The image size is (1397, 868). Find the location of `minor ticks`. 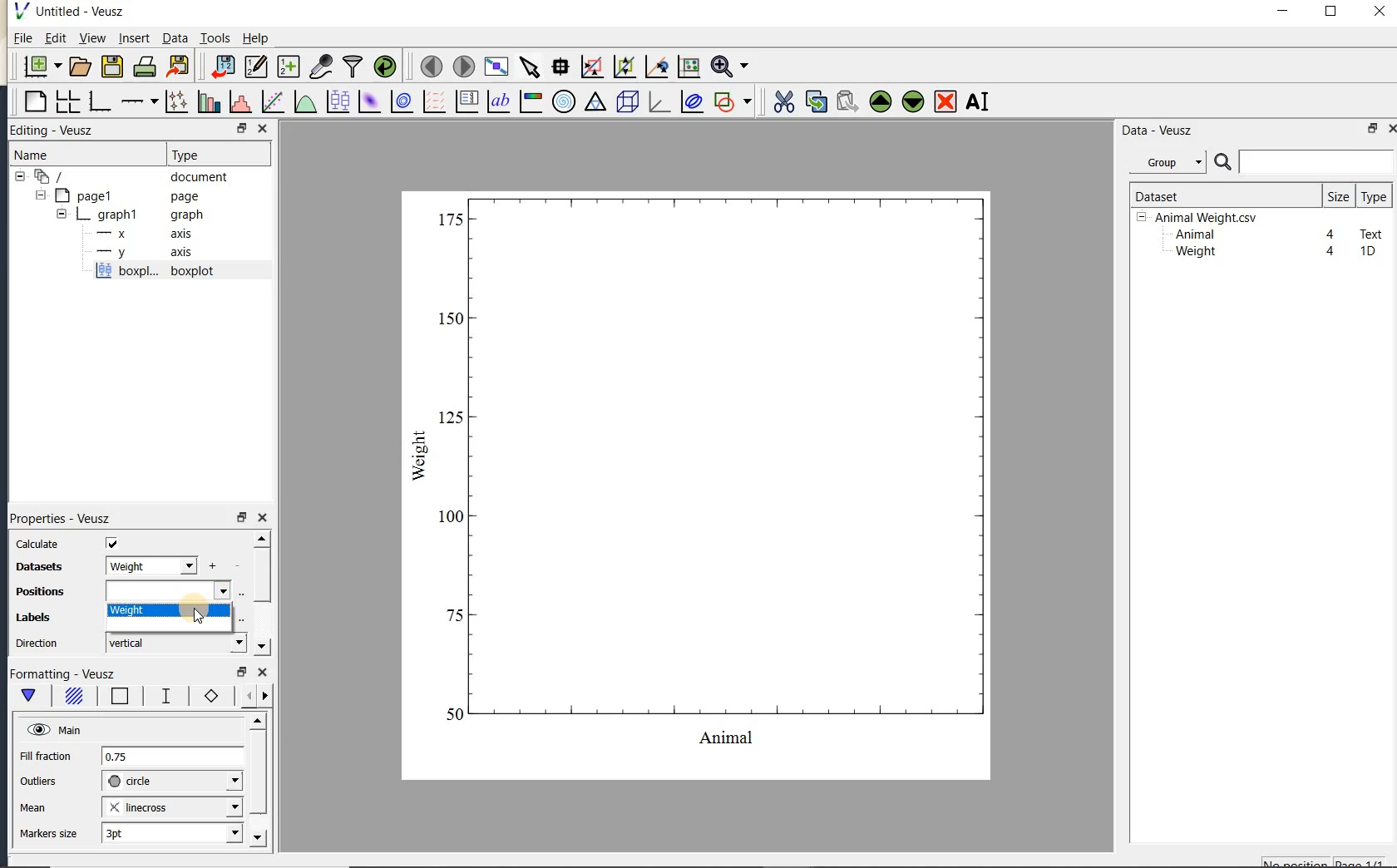

minor ticks is located at coordinates (251, 696).